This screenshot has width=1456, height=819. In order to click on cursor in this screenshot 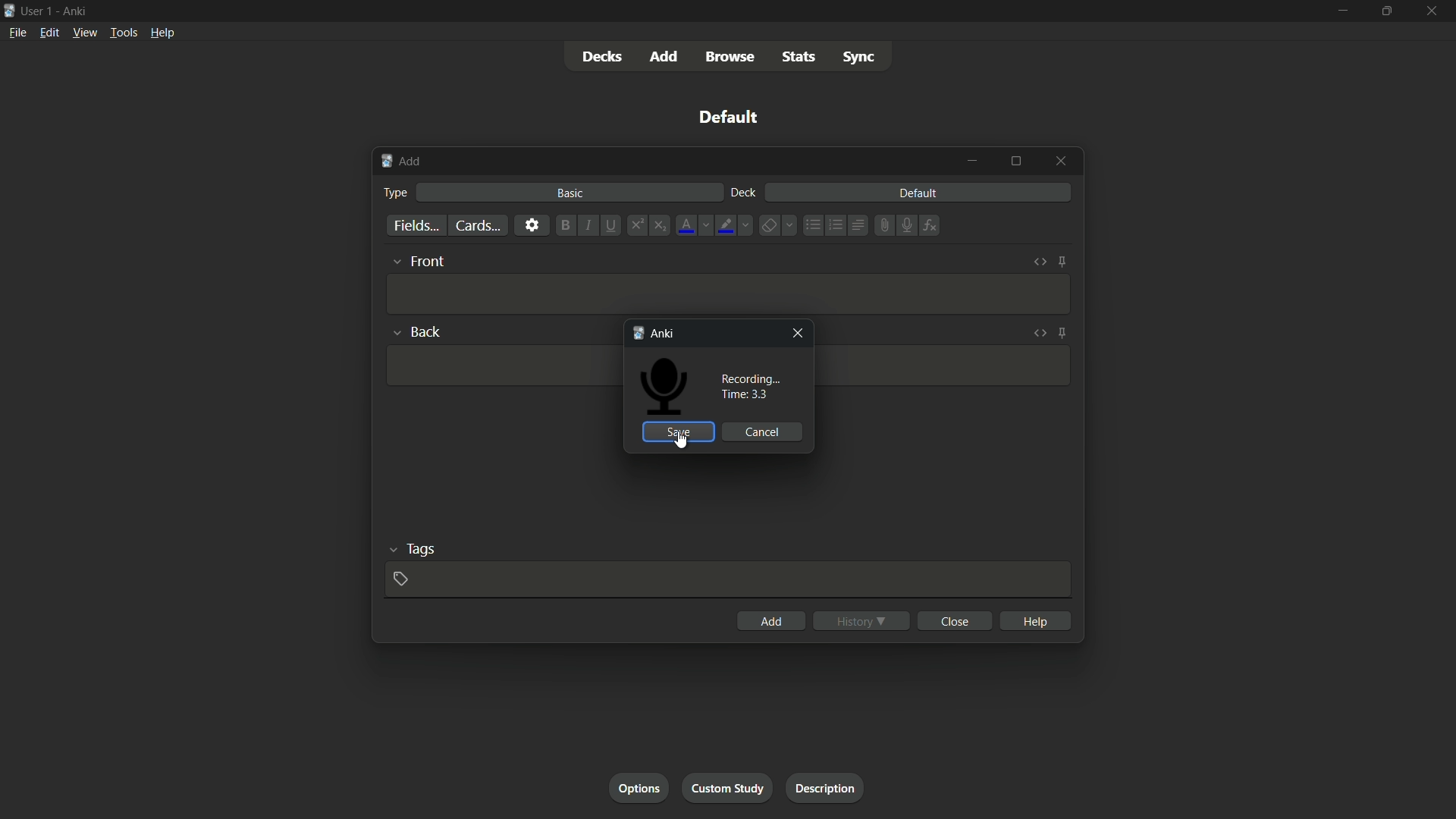, I will do `click(392, 293)`.